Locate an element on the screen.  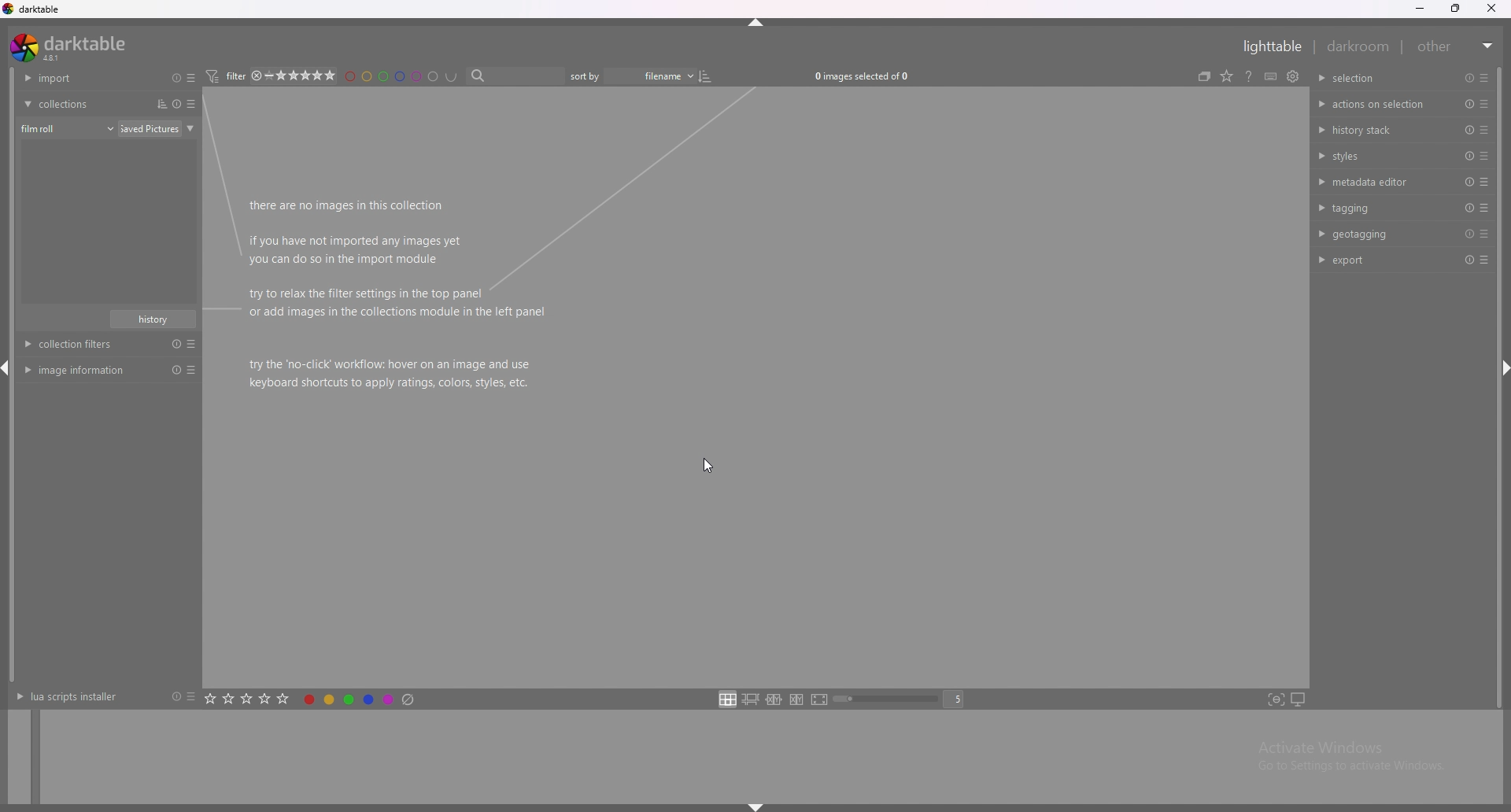
change type of overlays is located at coordinates (1246, 75).